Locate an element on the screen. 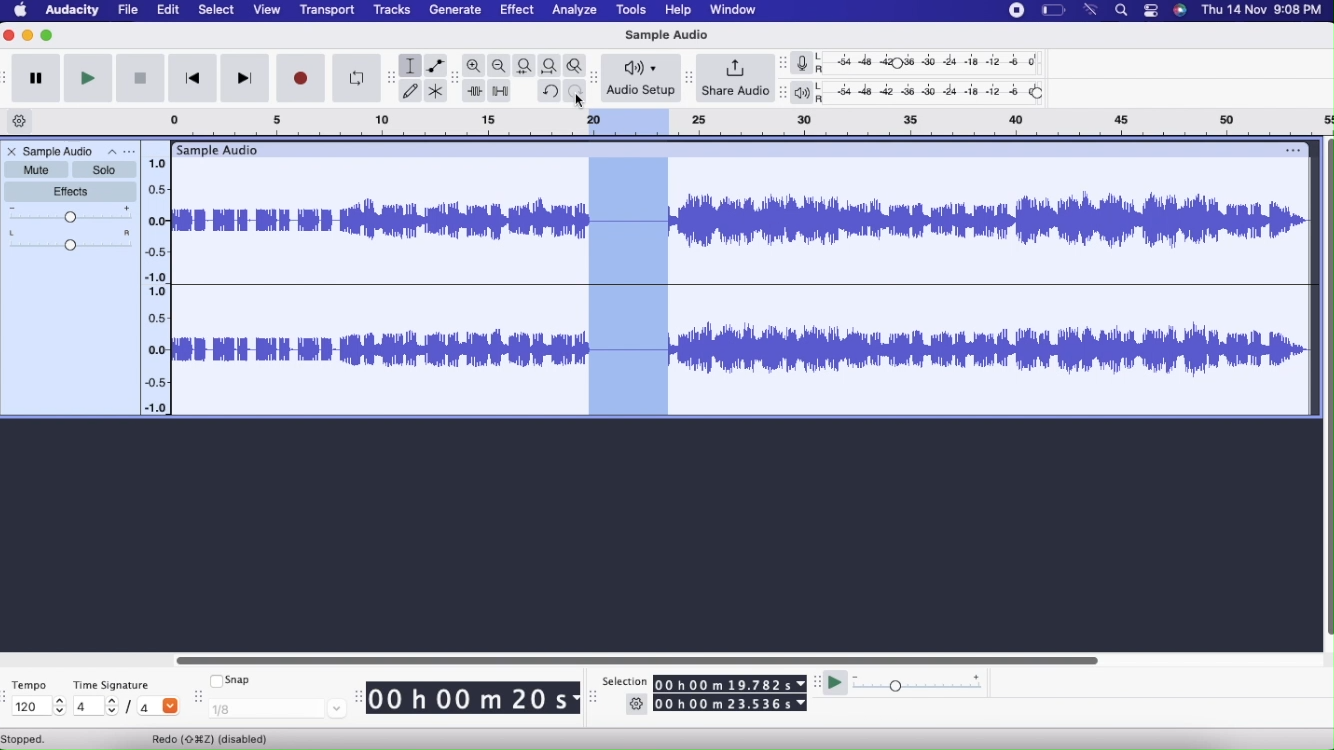 This screenshot has width=1334, height=750. Zoom toggle is located at coordinates (577, 65).